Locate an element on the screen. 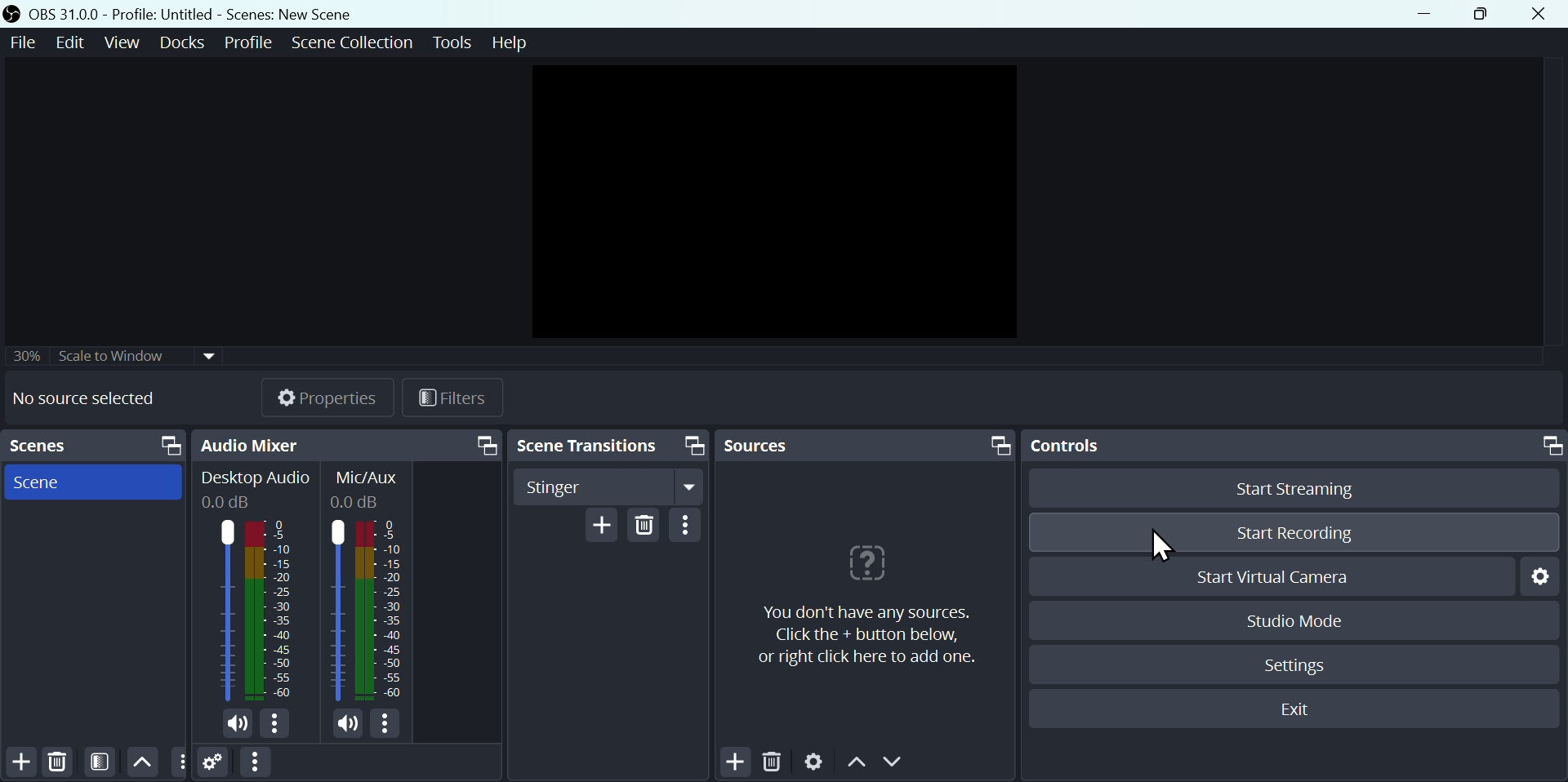  Delete is located at coordinates (647, 527).